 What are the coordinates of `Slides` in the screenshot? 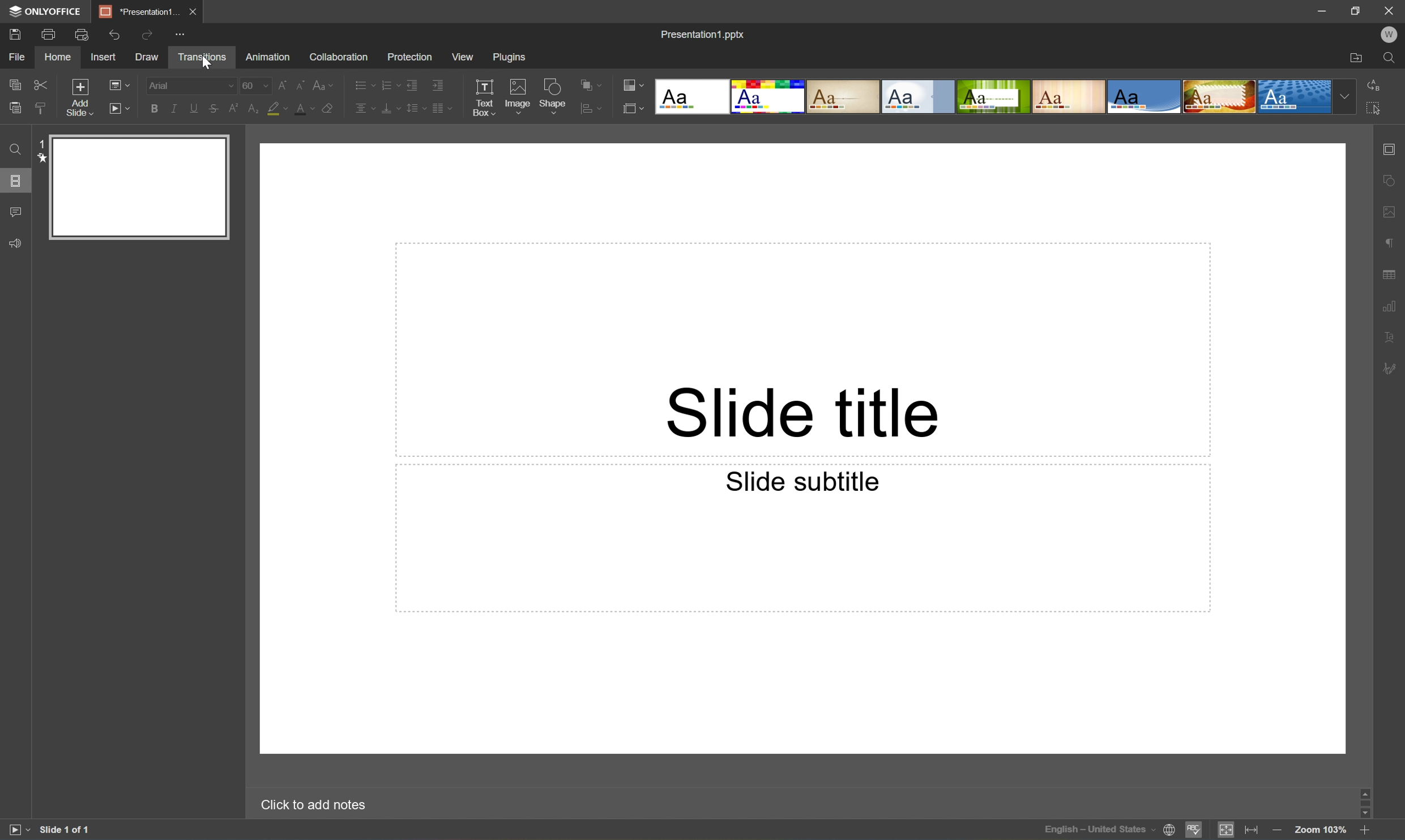 It's located at (17, 181).